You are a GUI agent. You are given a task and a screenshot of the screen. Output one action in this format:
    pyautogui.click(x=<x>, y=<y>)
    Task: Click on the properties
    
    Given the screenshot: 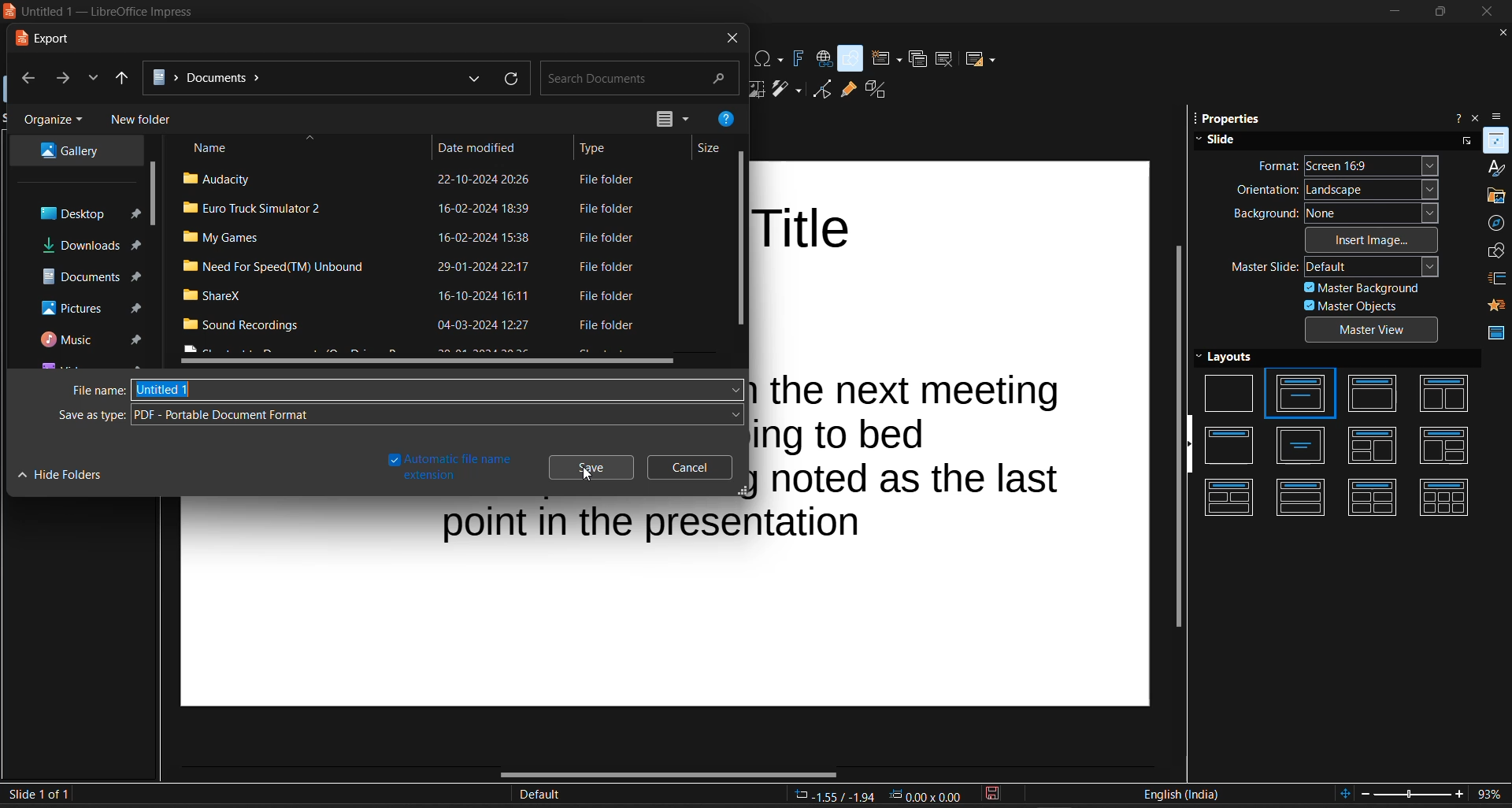 What is the action you would take?
    pyautogui.click(x=1229, y=119)
    